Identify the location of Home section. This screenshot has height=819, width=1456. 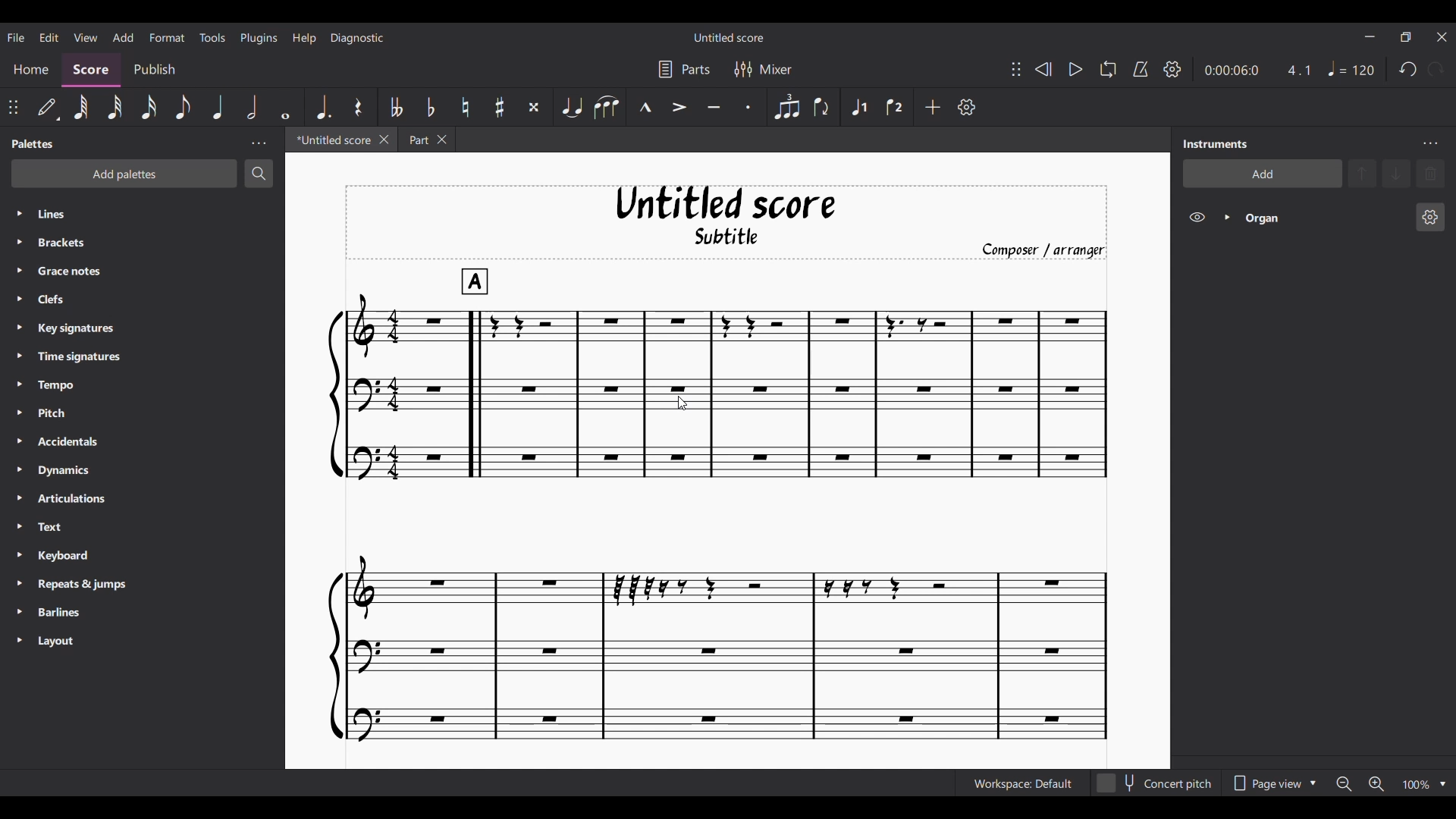
(30, 69).